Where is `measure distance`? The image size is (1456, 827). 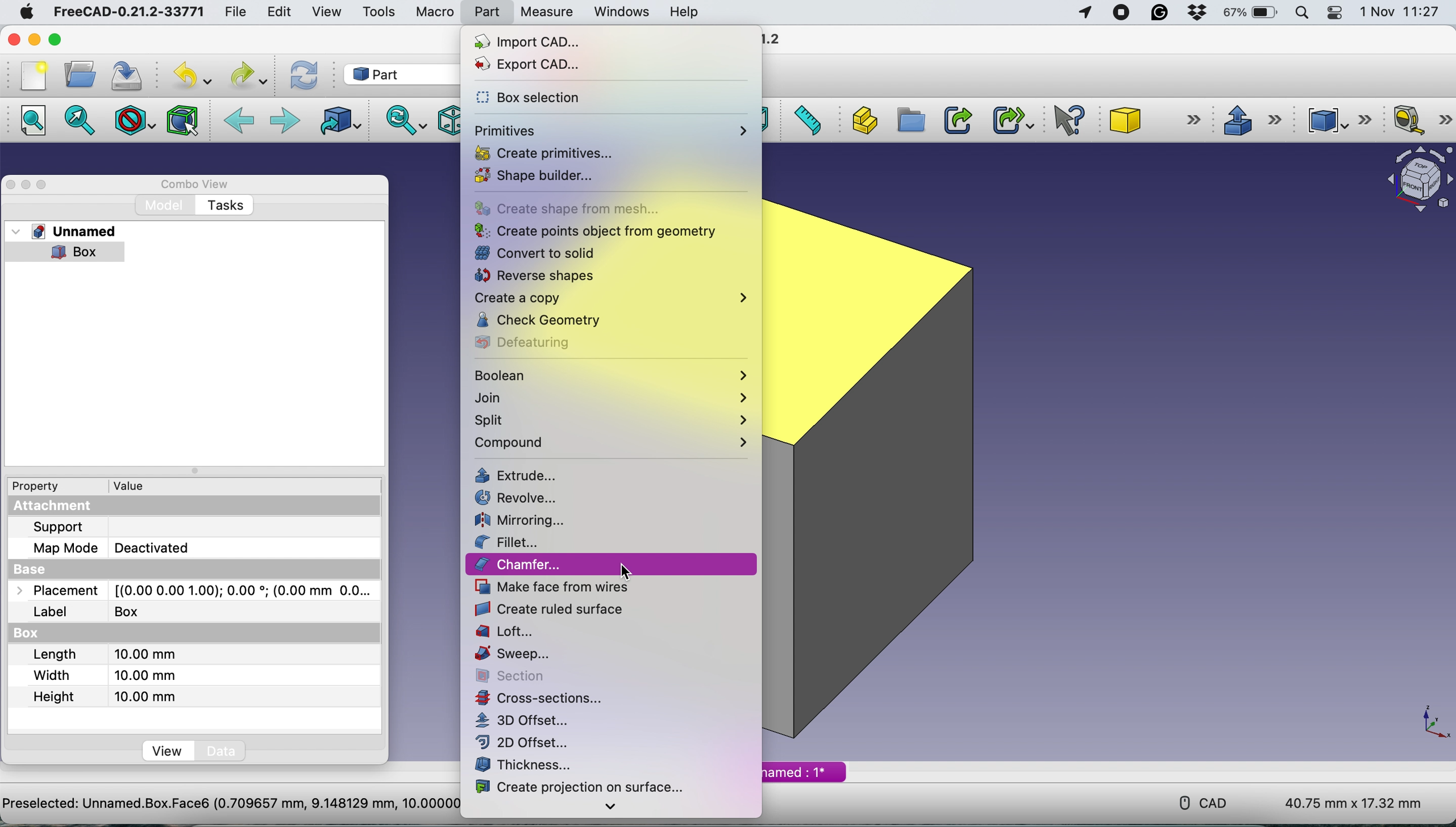 measure distance is located at coordinates (808, 120).